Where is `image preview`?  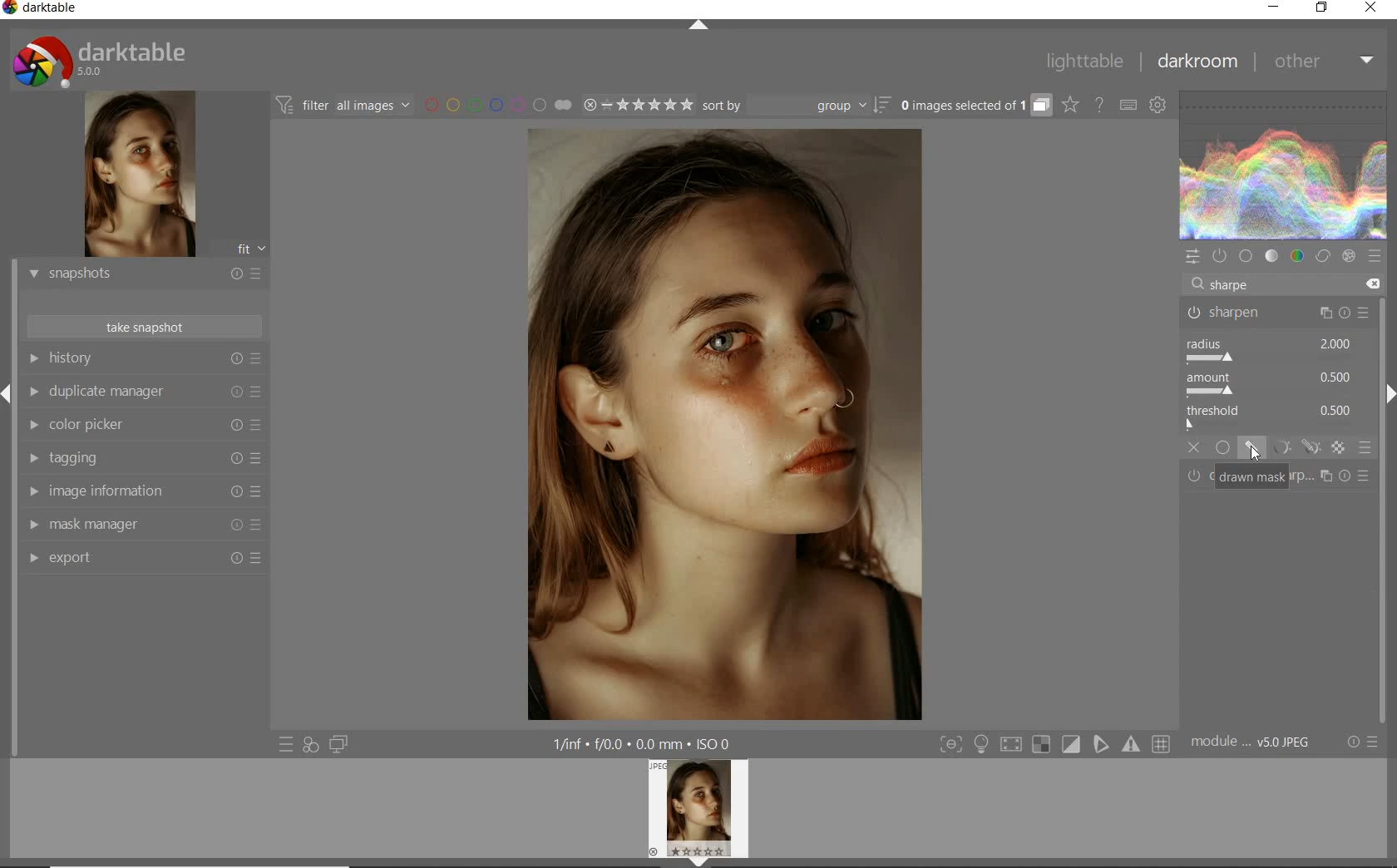
image preview is located at coordinates (137, 176).